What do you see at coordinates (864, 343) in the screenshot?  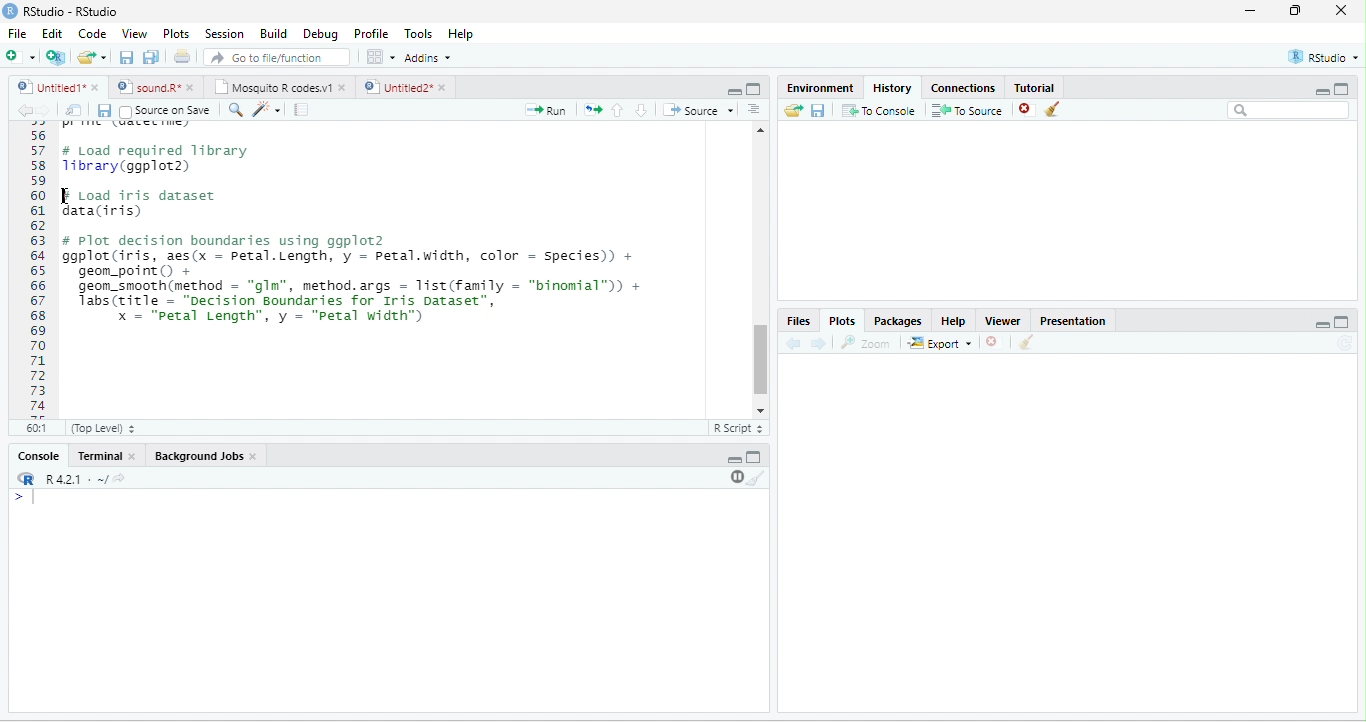 I see `Zoom` at bounding box center [864, 343].